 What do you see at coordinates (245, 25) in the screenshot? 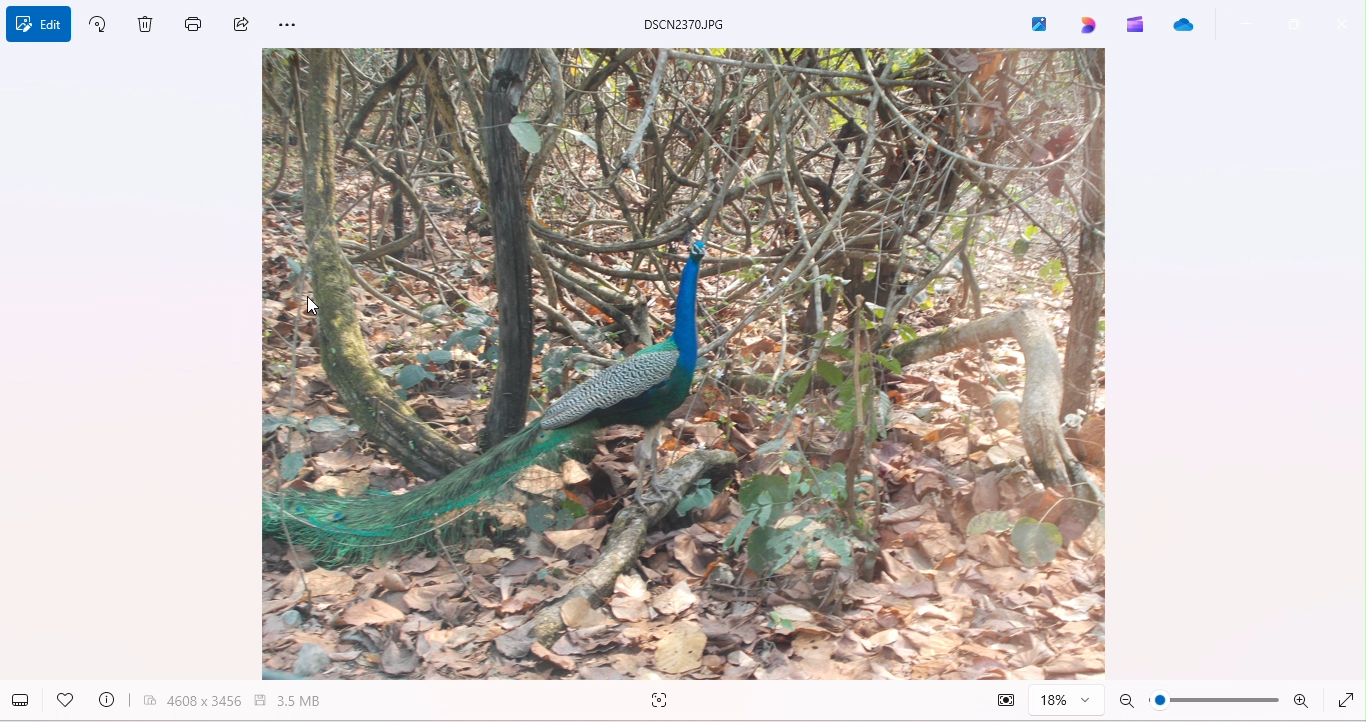
I see `share` at bounding box center [245, 25].